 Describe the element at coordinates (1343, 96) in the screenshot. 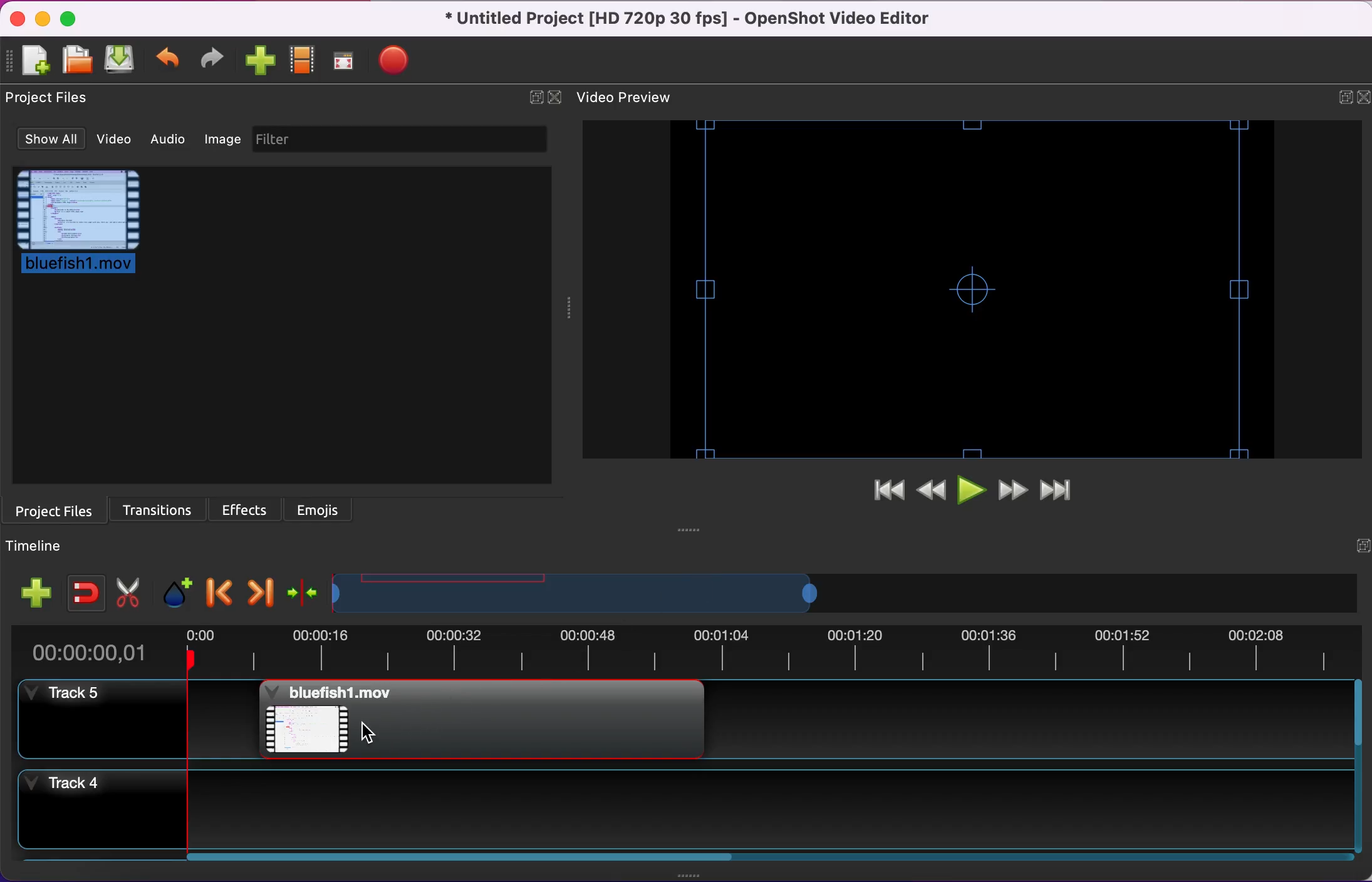

I see `expand/hide` at that location.